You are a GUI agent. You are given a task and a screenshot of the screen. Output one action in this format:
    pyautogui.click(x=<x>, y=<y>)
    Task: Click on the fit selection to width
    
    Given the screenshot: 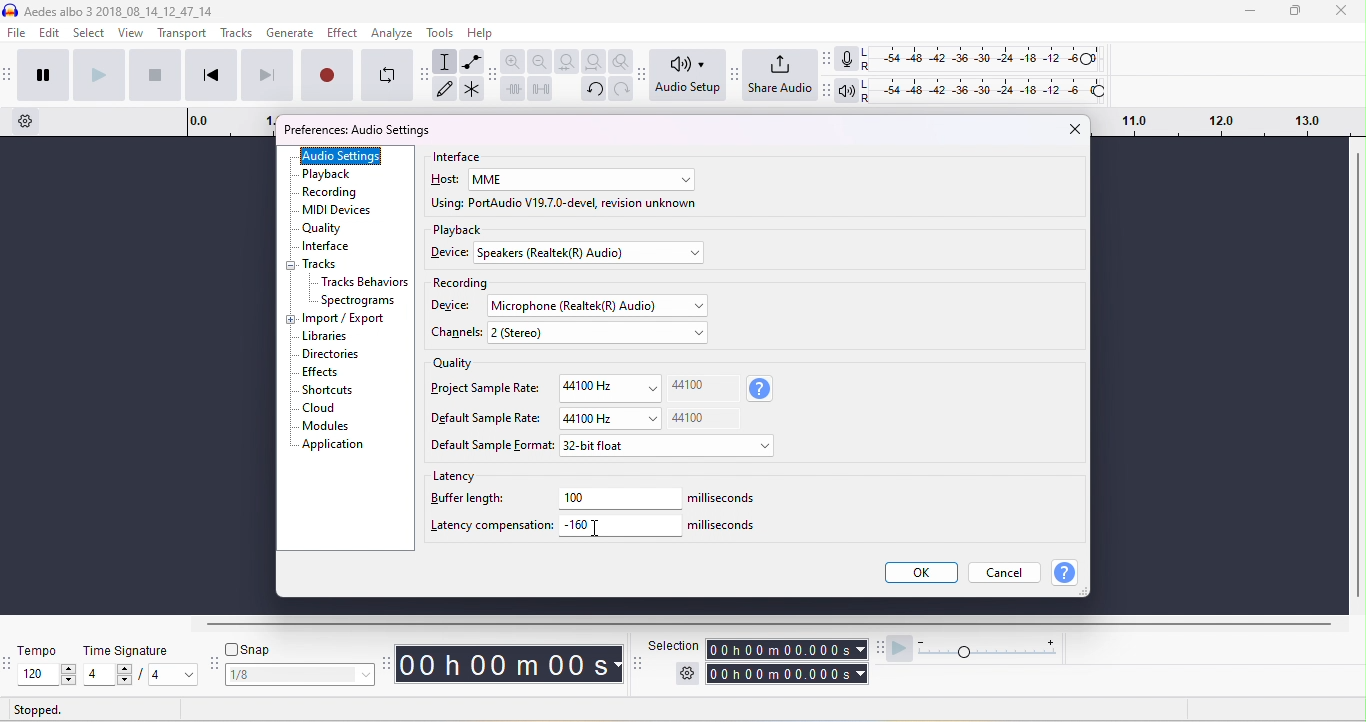 What is the action you would take?
    pyautogui.click(x=569, y=62)
    